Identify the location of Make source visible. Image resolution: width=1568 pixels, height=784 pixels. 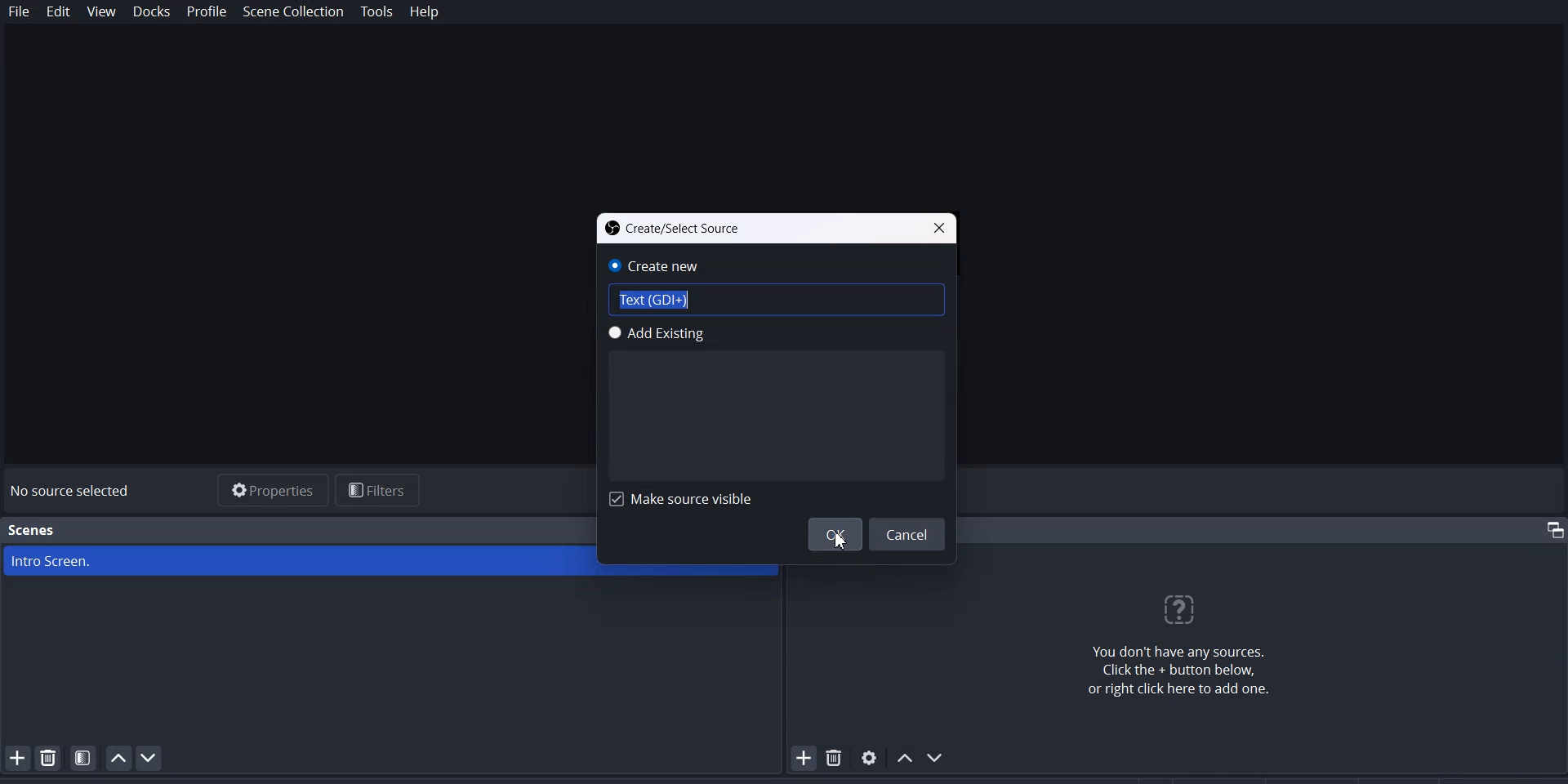
(682, 499).